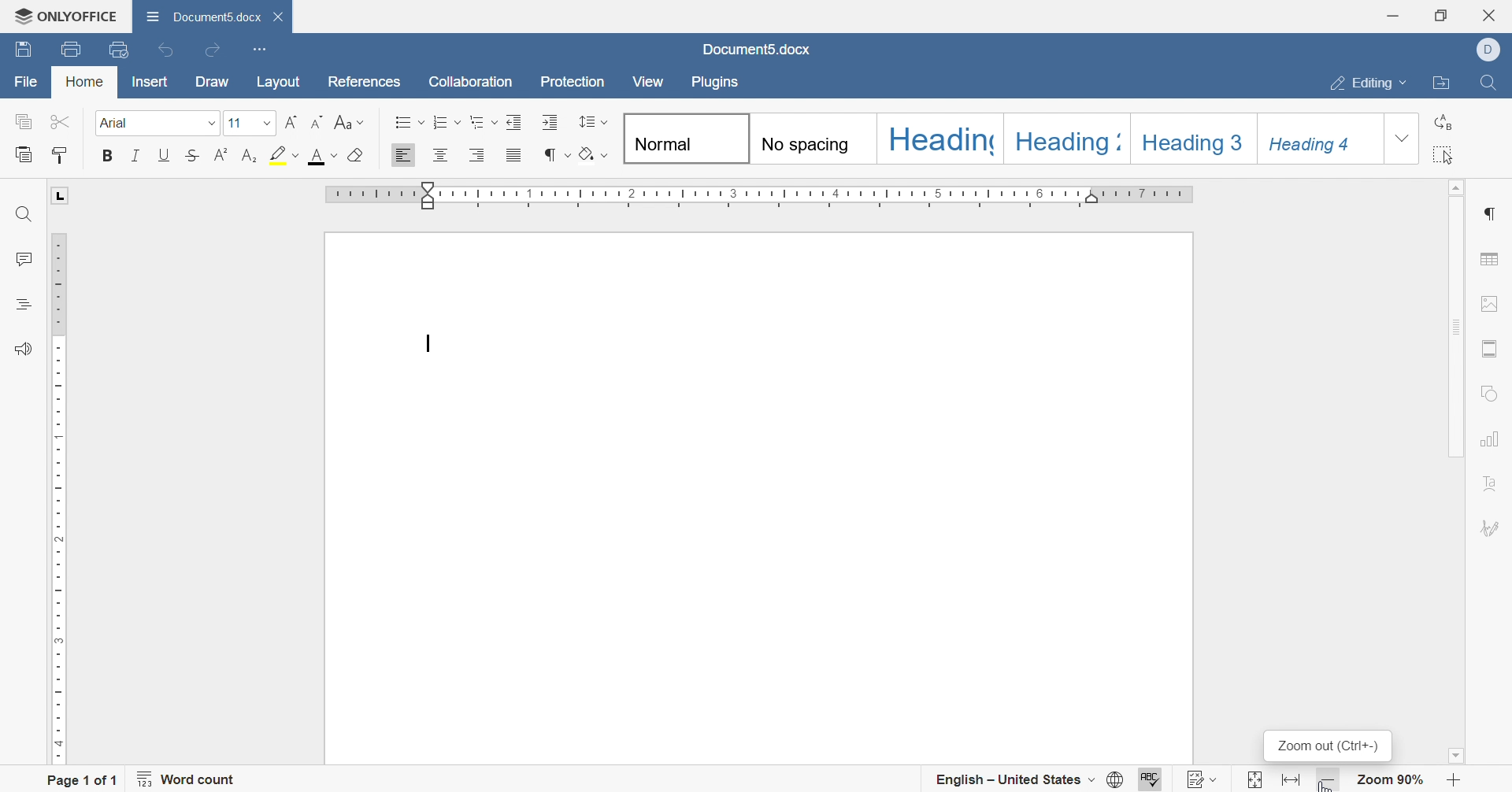 The height and width of the screenshot is (792, 1512). Describe the element at coordinates (516, 124) in the screenshot. I see `decrease indent` at that location.